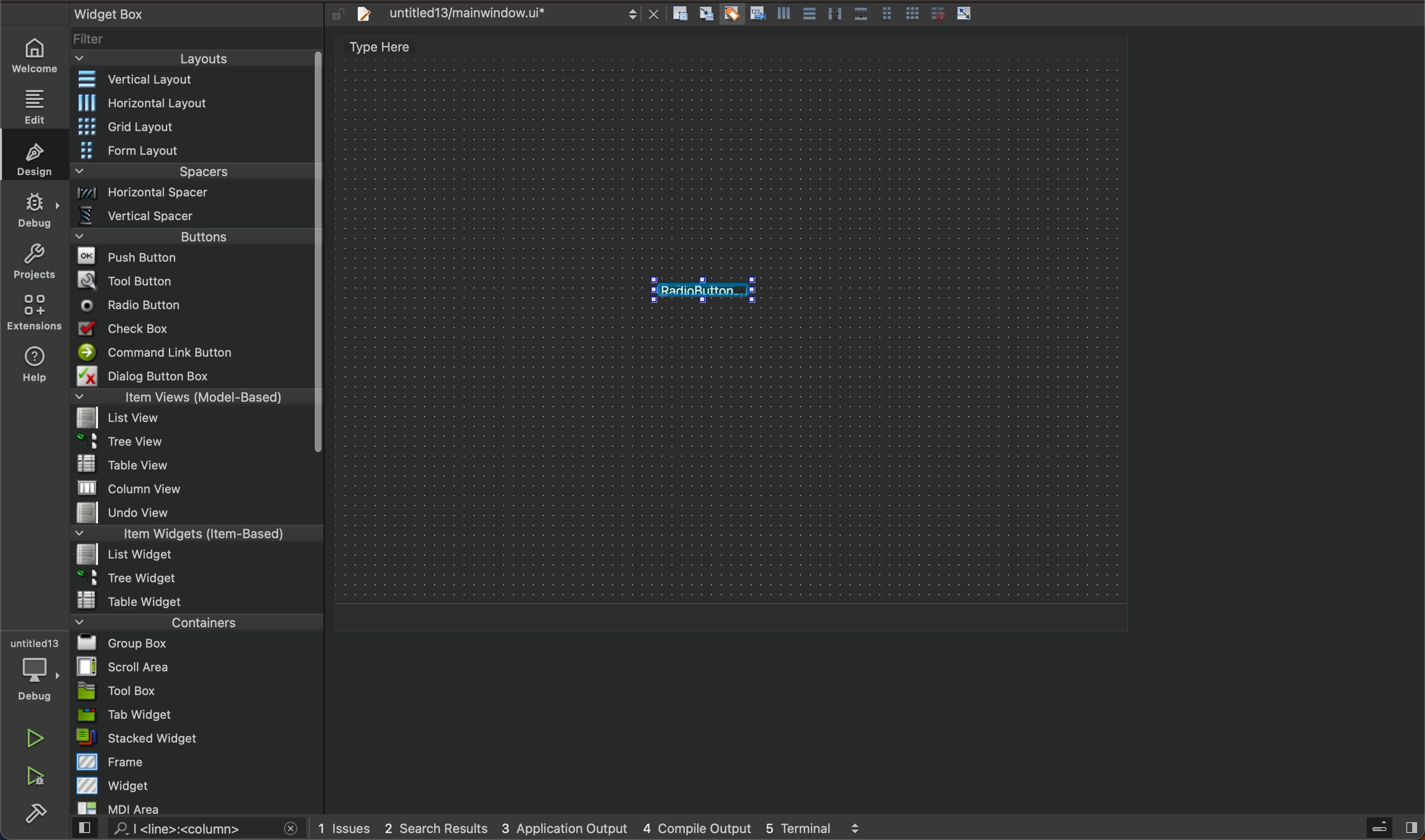 The width and height of the screenshot is (1425, 840). Describe the element at coordinates (41, 671) in the screenshot. I see `debug` at that location.